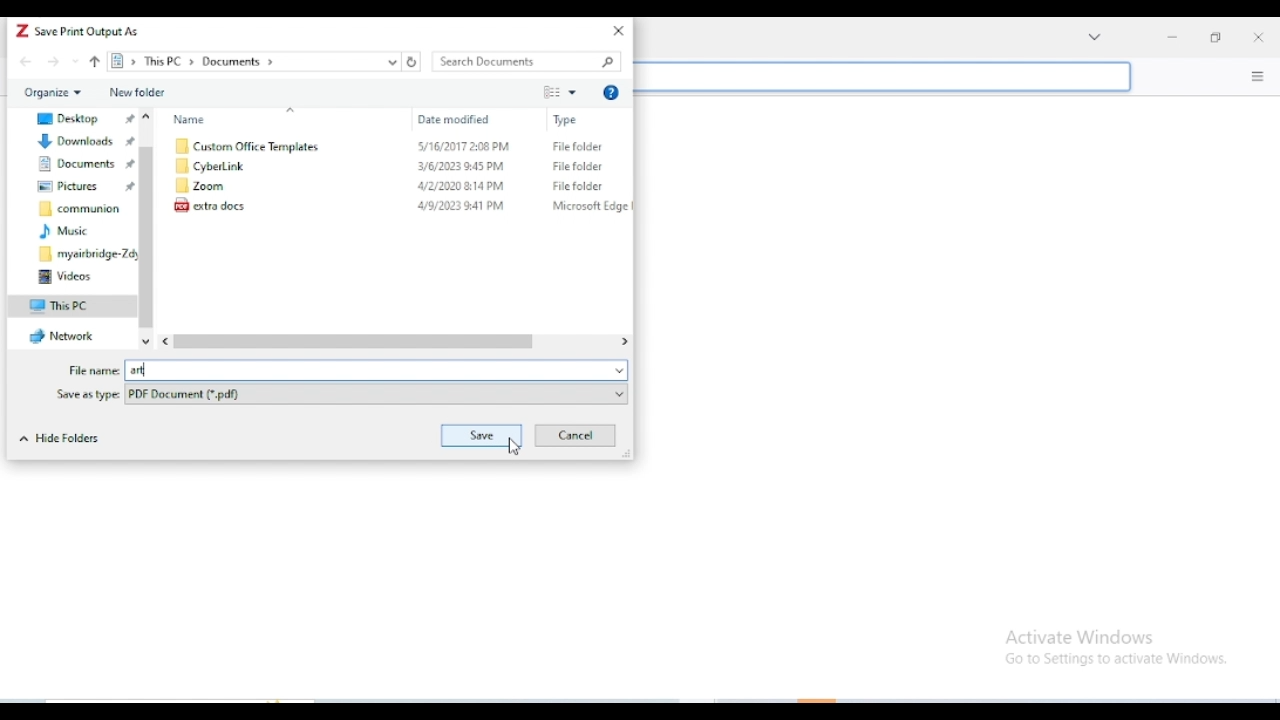 The image size is (1280, 720). Describe the element at coordinates (1214, 34) in the screenshot. I see `maximize` at that location.